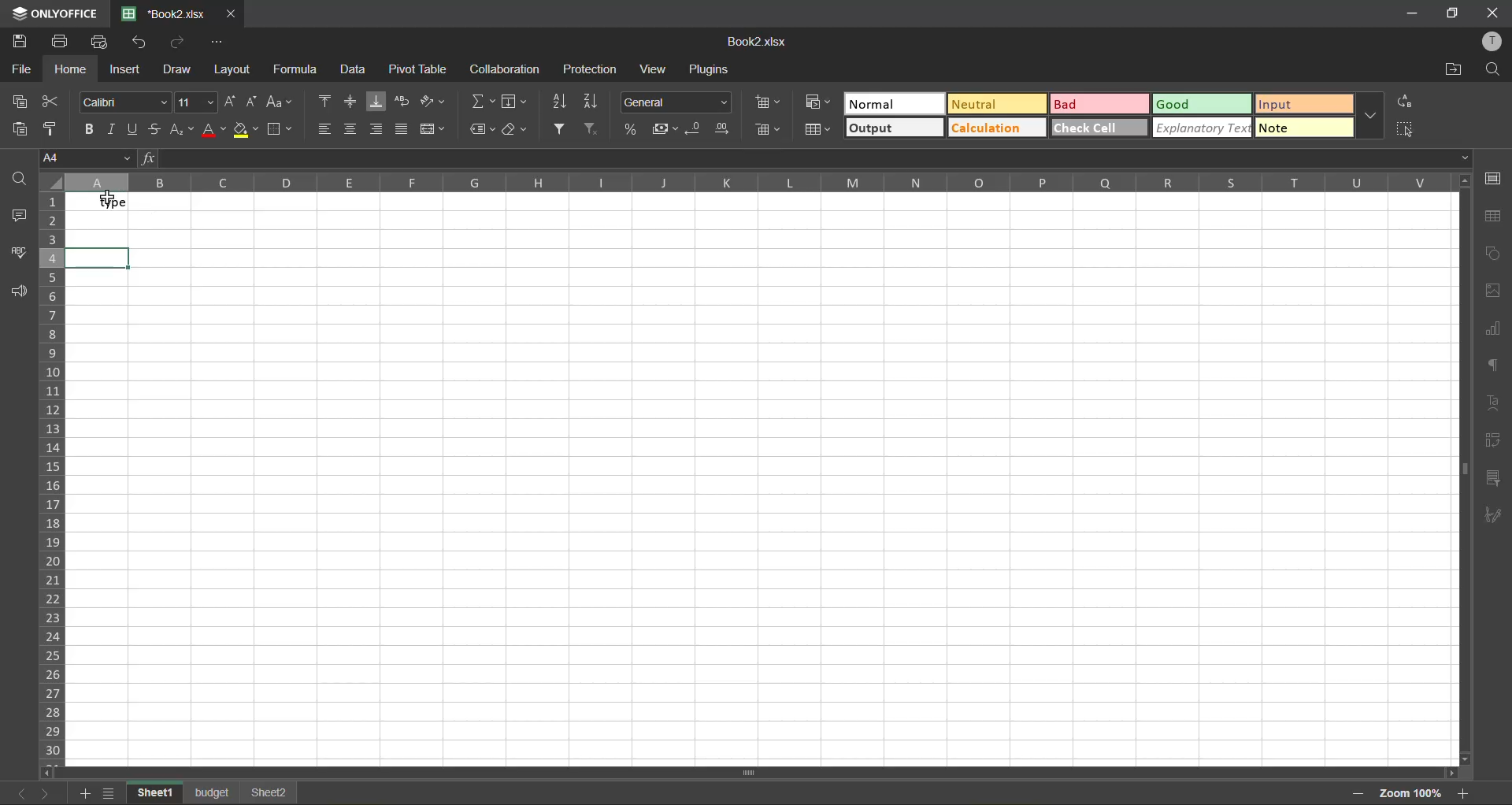 The height and width of the screenshot is (805, 1512). I want to click on bad, so click(1106, 107).